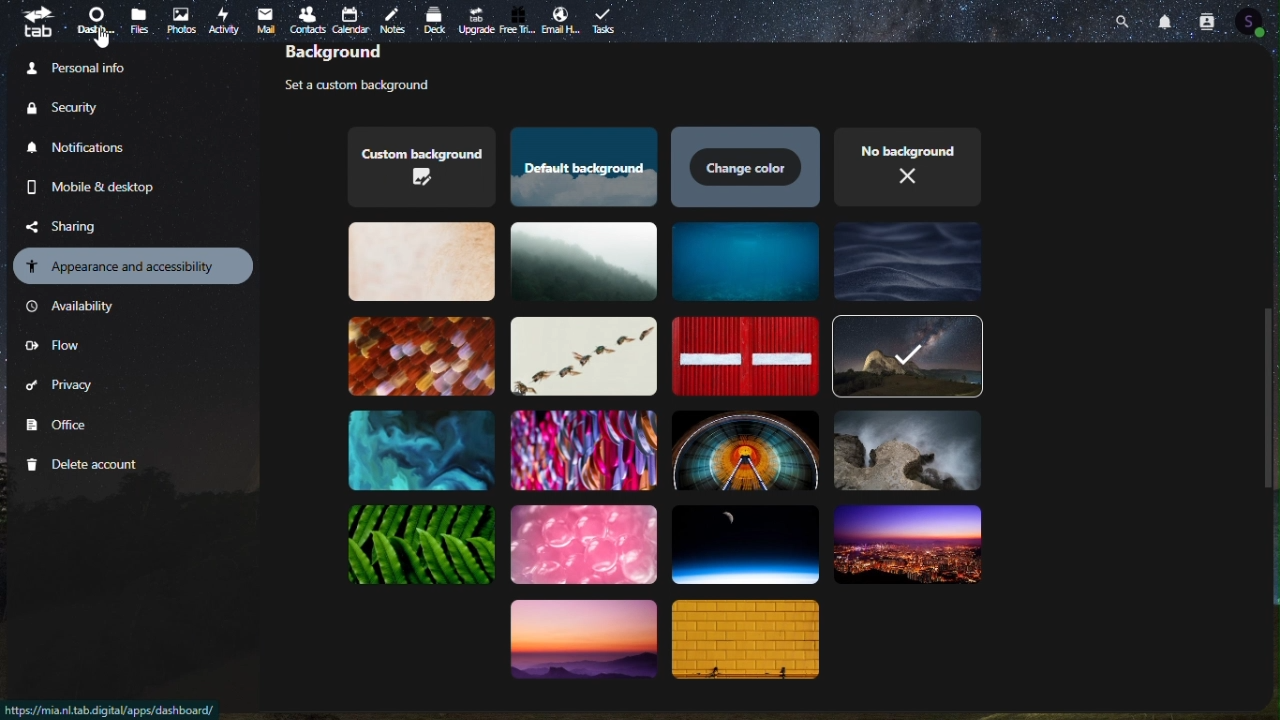 The height and width of the screenshot is (720, 1280). What do you see at coordinates (111, 710) in the screenshot?
I see `link` at bounding box center [111, 710].